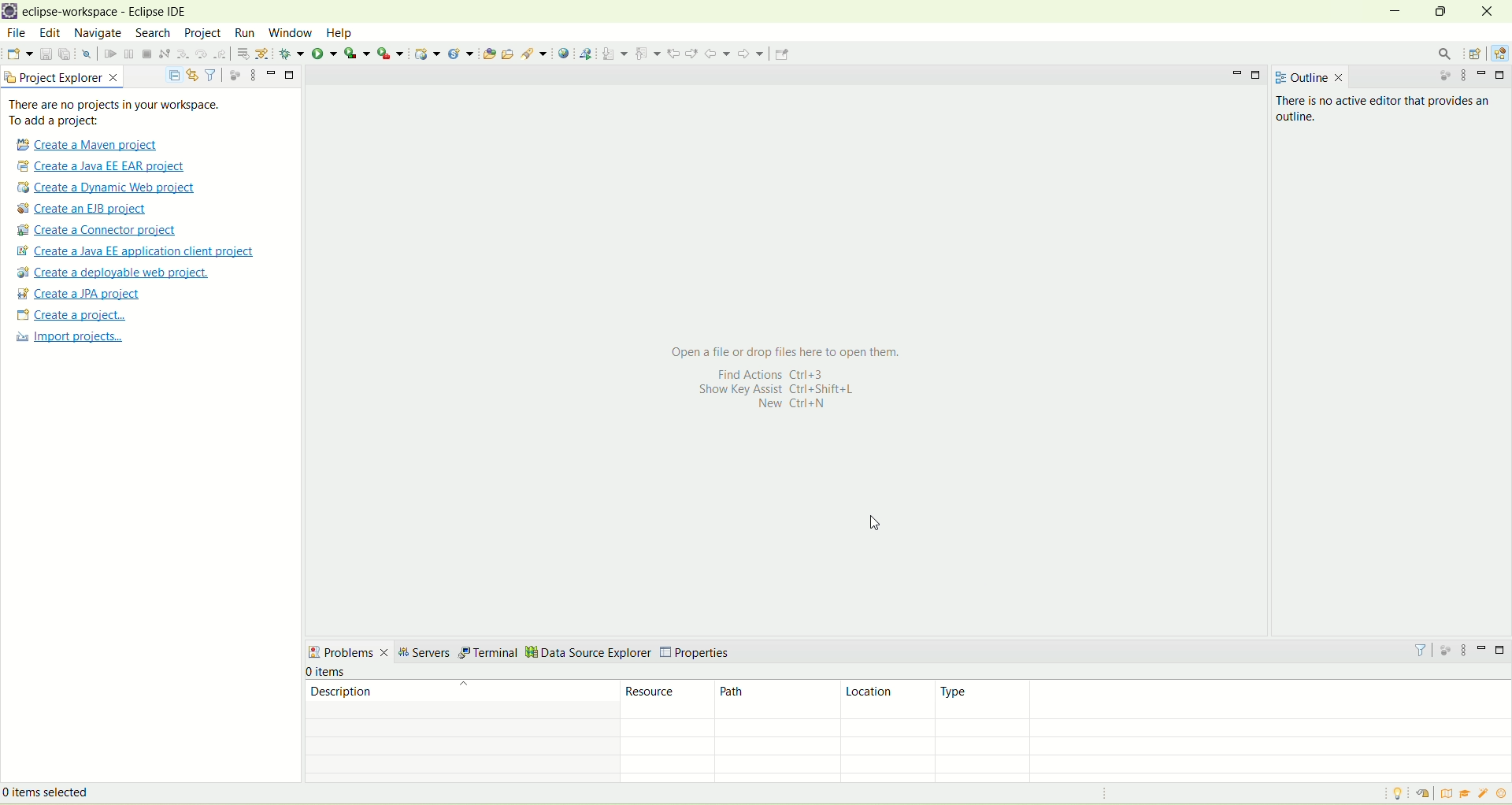 This screenshot has width=1512, height=805. I want to click on maximize, so click(1438, 9).